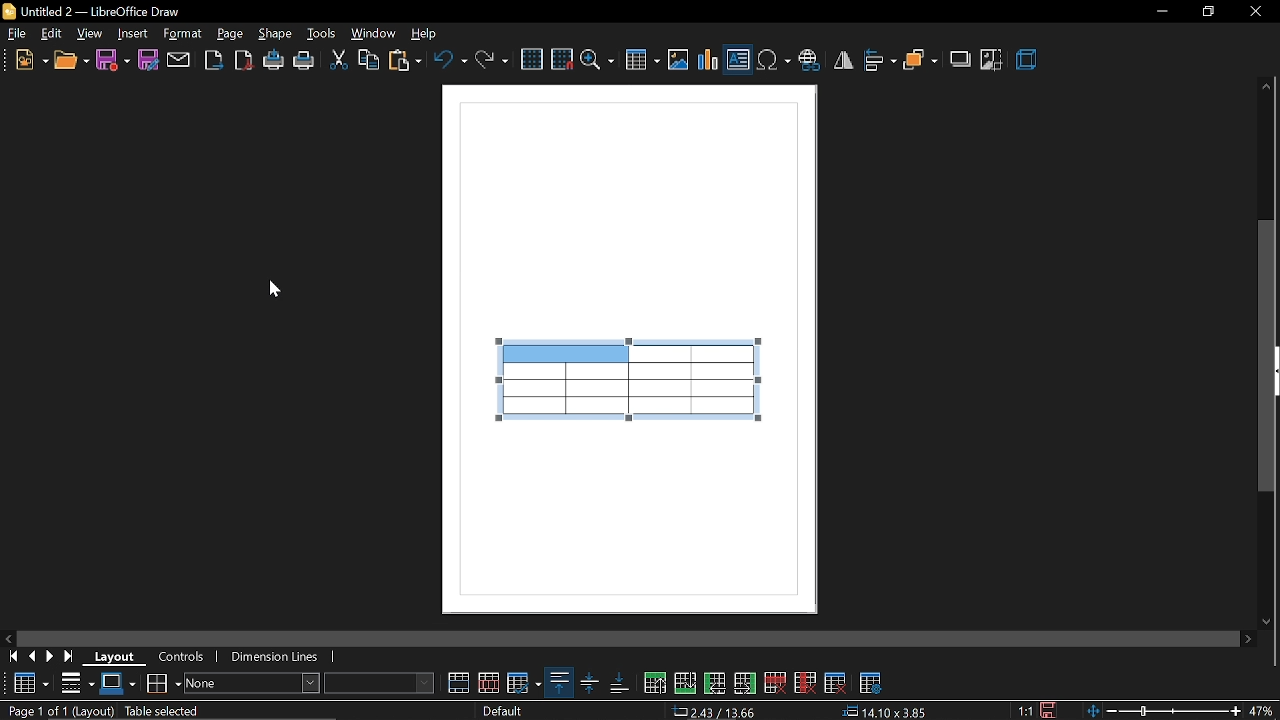 This screenshot has height=720, width=1280. Describe the element at coordinates (170, 710) in the screenshot. I see `table selected` at that location.